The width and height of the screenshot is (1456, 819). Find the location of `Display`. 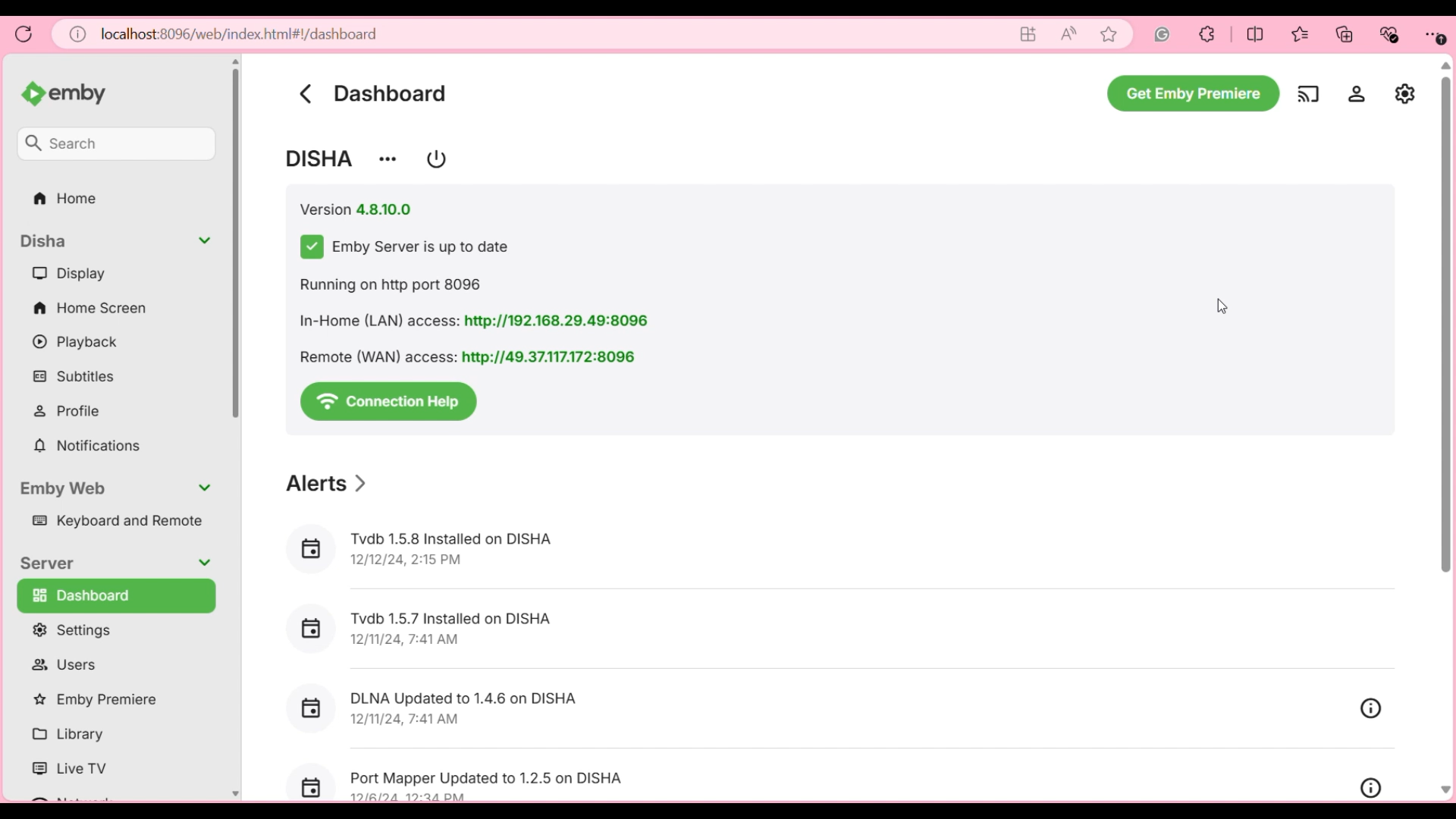

Display is located at coordinates (110, 274).